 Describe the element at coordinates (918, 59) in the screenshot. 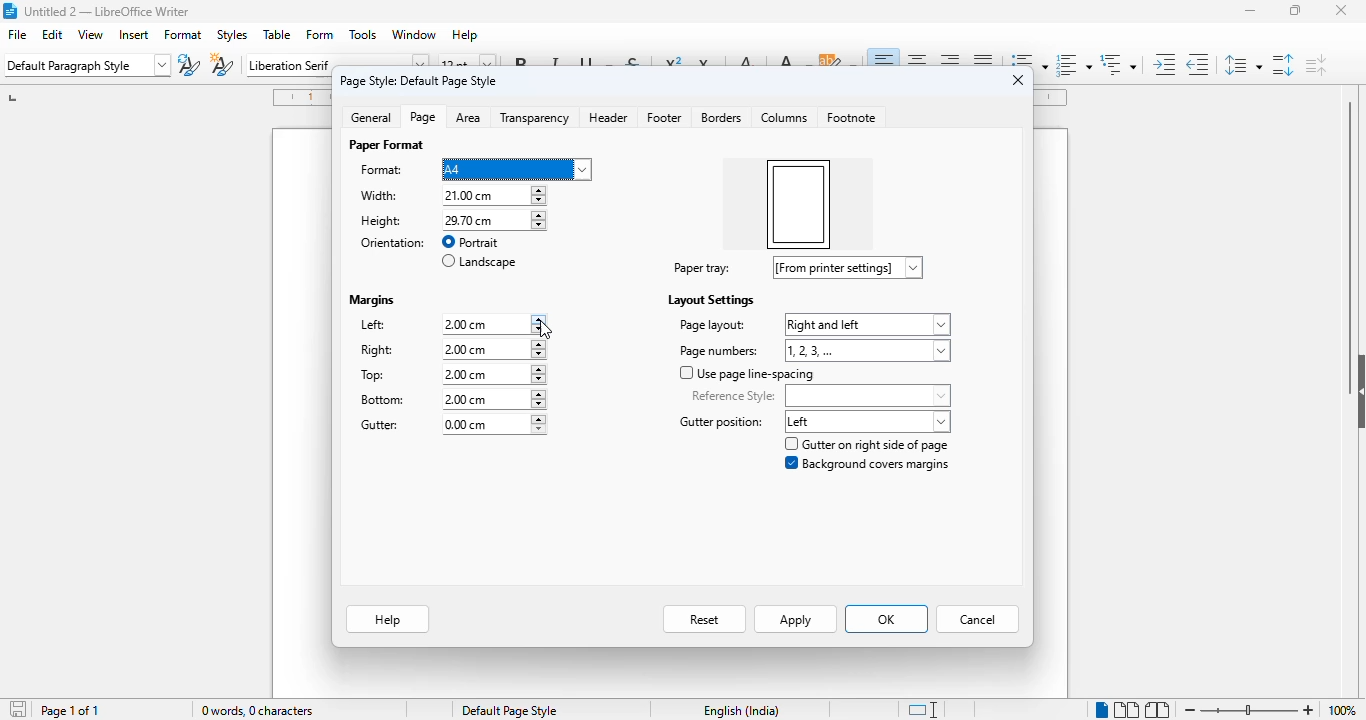

I see `align center` at that location.